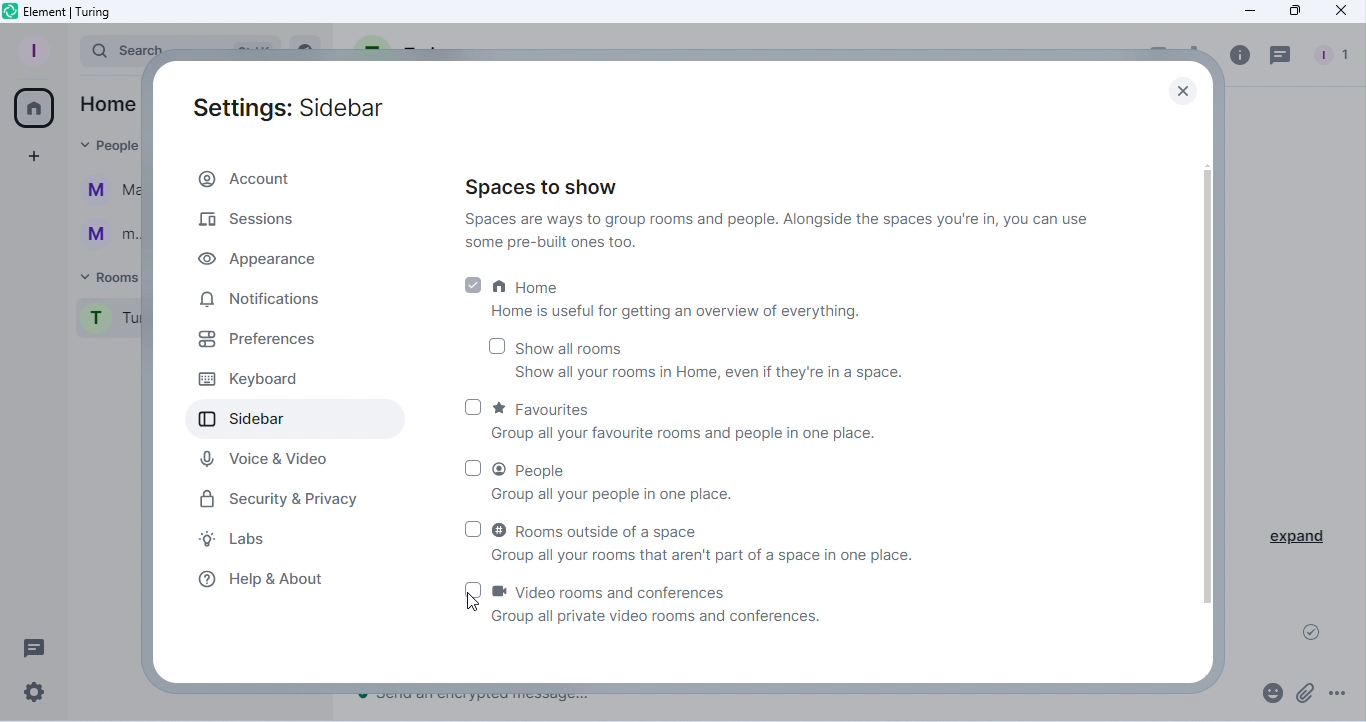 This screenshot has width=1366, height=722. Describe the element at coordinates (691, 540) in the screenshot. I see `Rooms outside of a space` at that location.